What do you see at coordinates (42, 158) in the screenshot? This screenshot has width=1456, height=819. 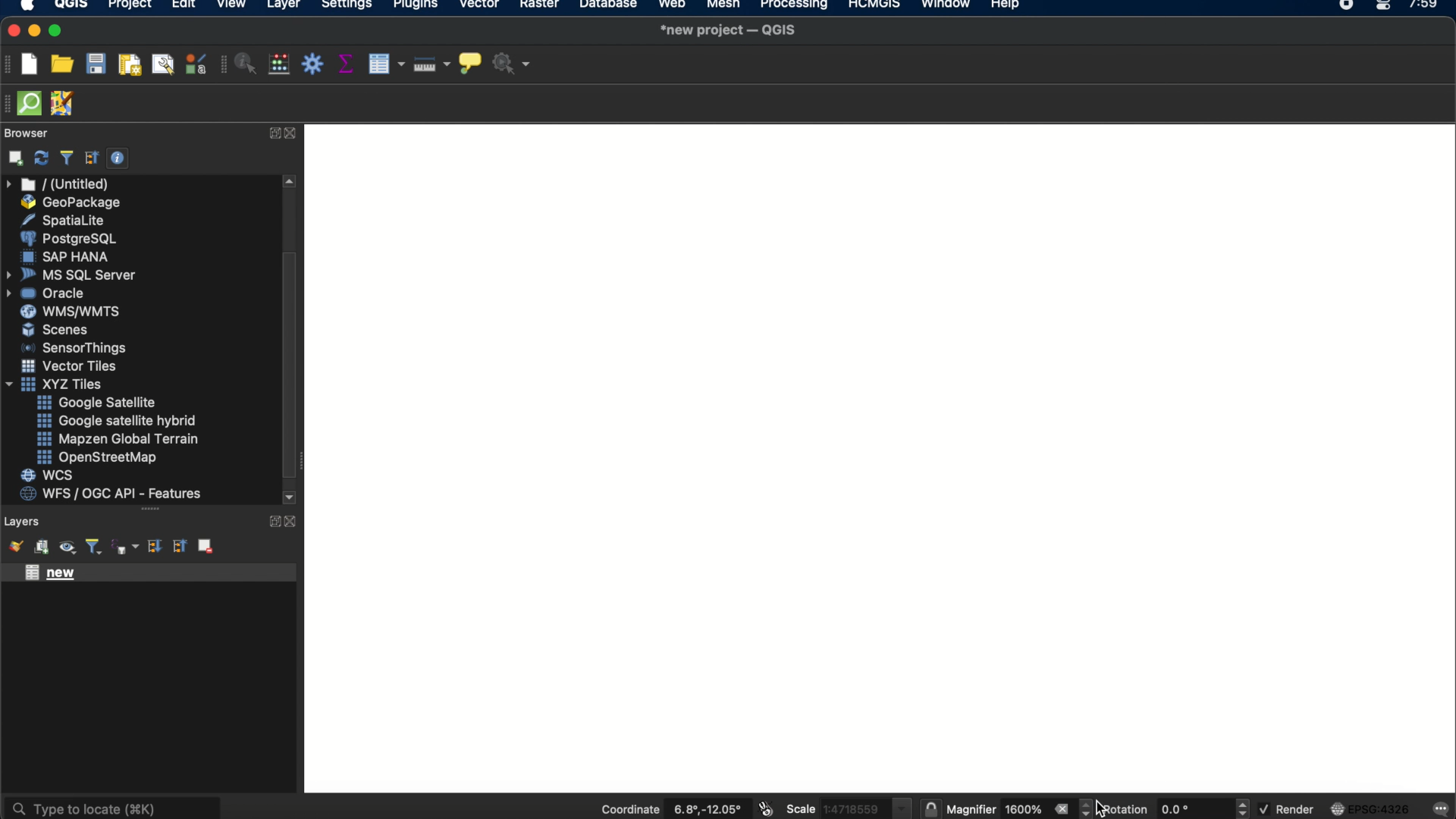 I see `refresh` at bounding box center [42, 158].